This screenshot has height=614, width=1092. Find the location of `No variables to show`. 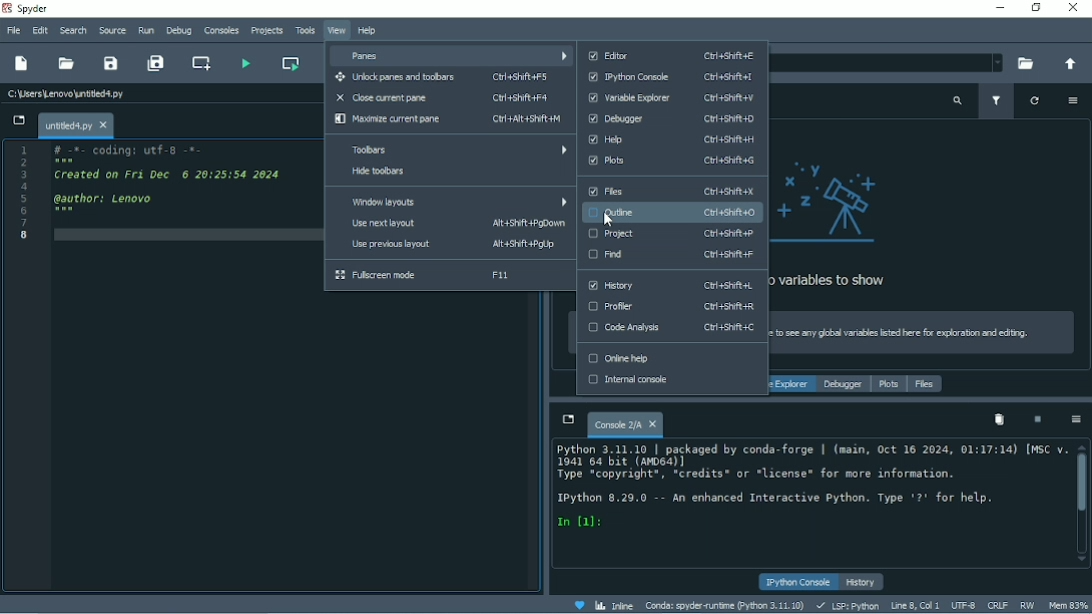

No variables to show is located at coordinates (843, 225).